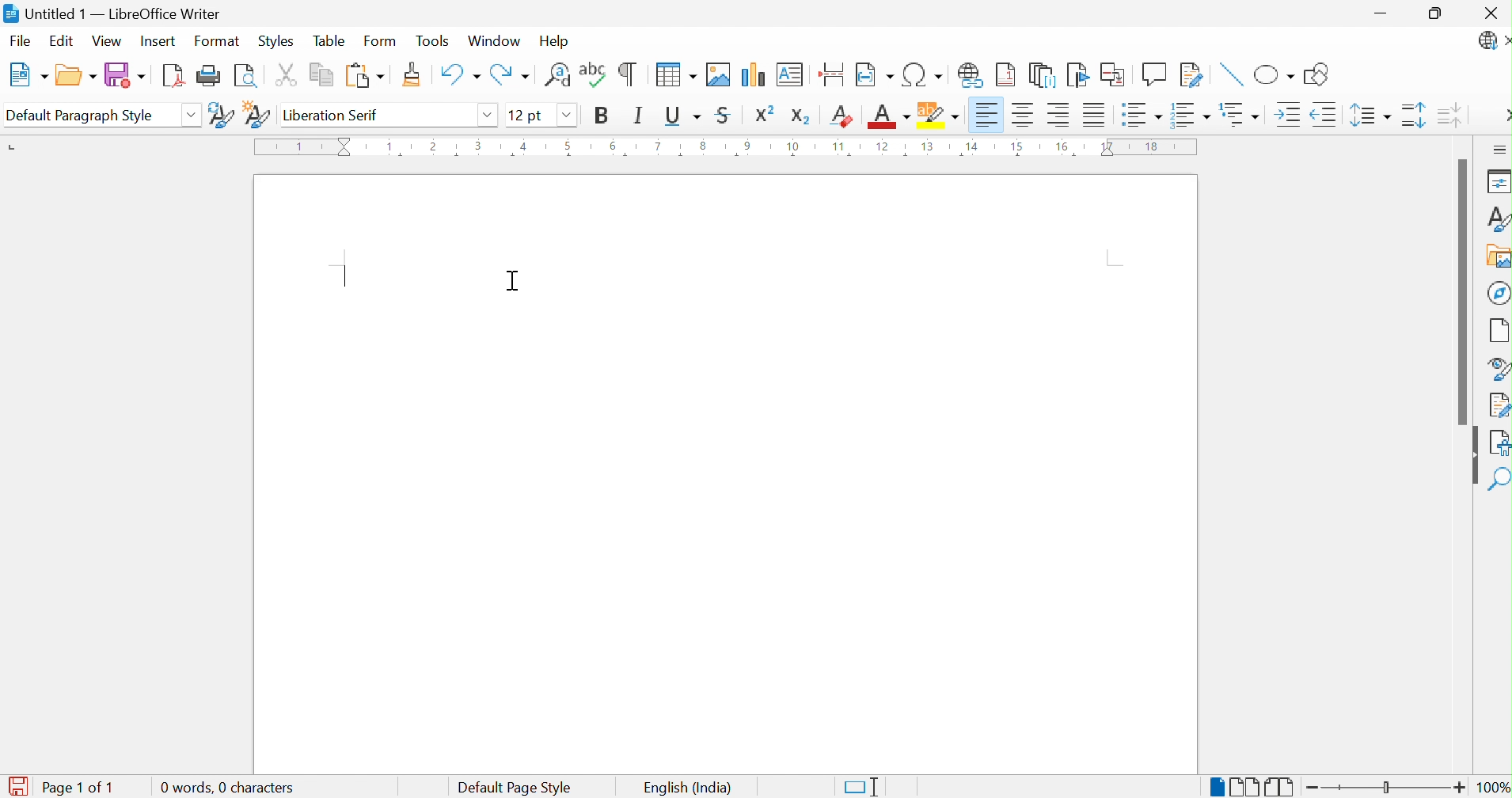  I want to click on Style Navigator, so click(1495, 368).